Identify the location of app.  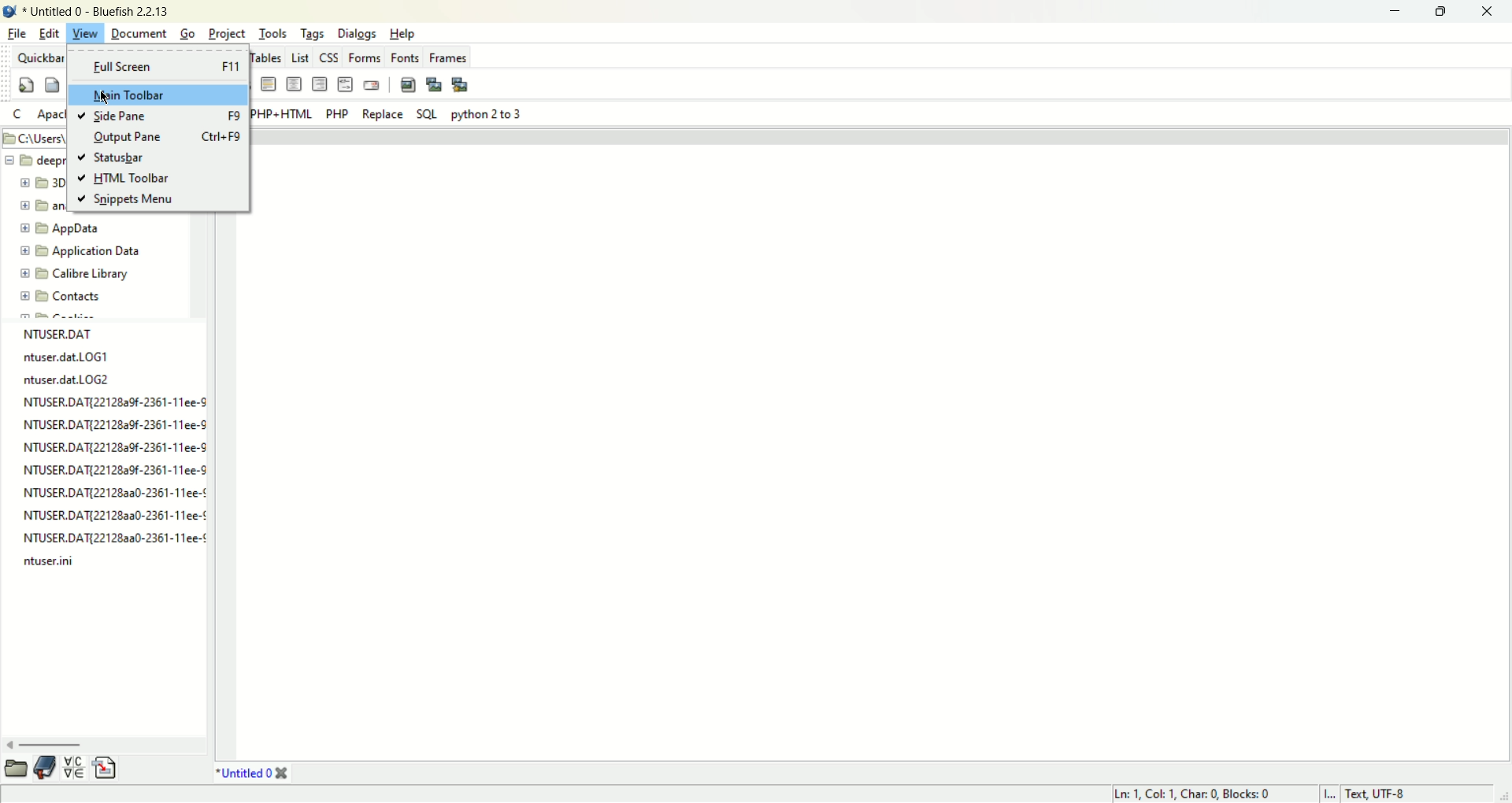
(68, 229).